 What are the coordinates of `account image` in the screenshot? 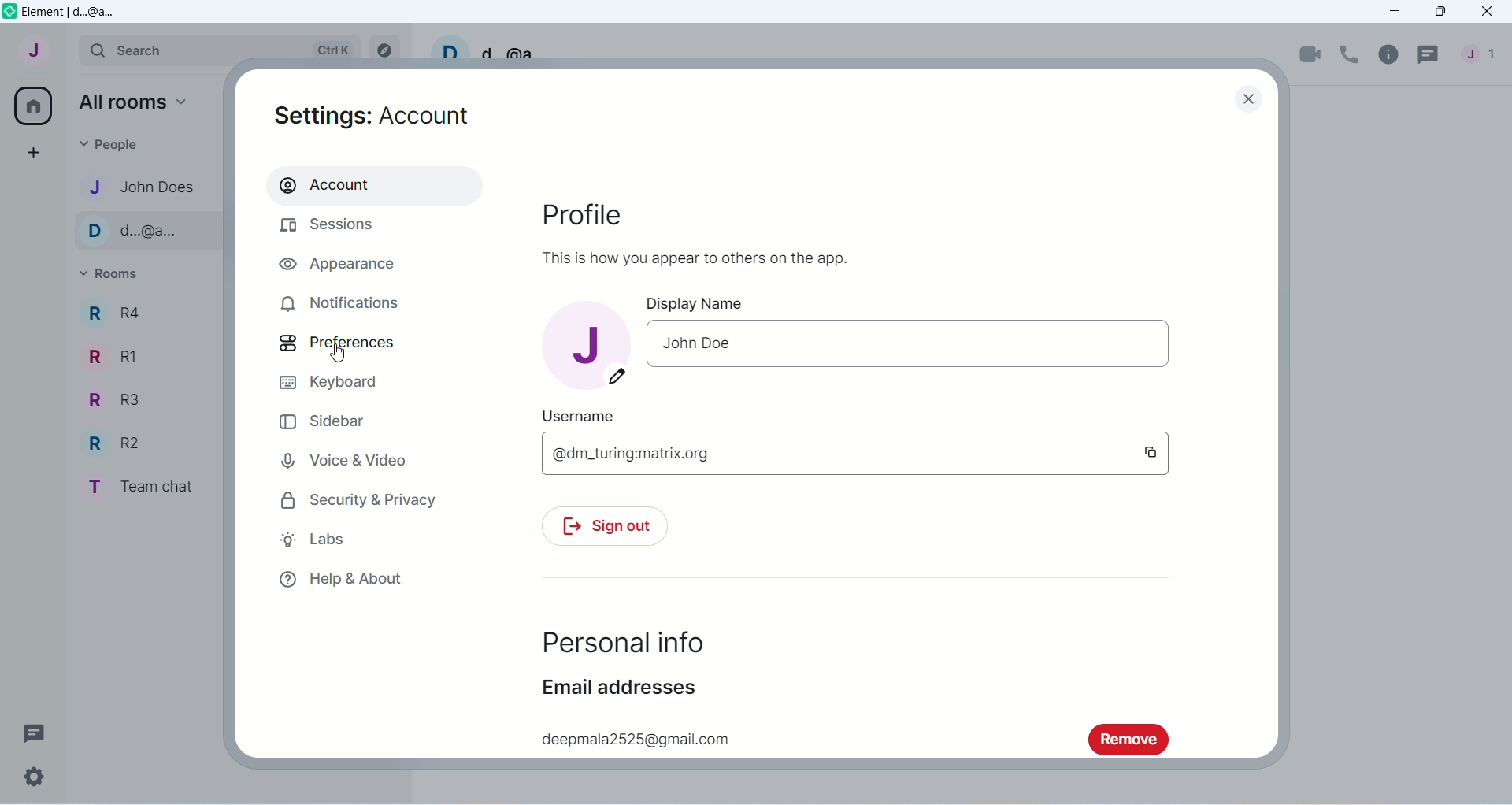 It's located at (587, 340).